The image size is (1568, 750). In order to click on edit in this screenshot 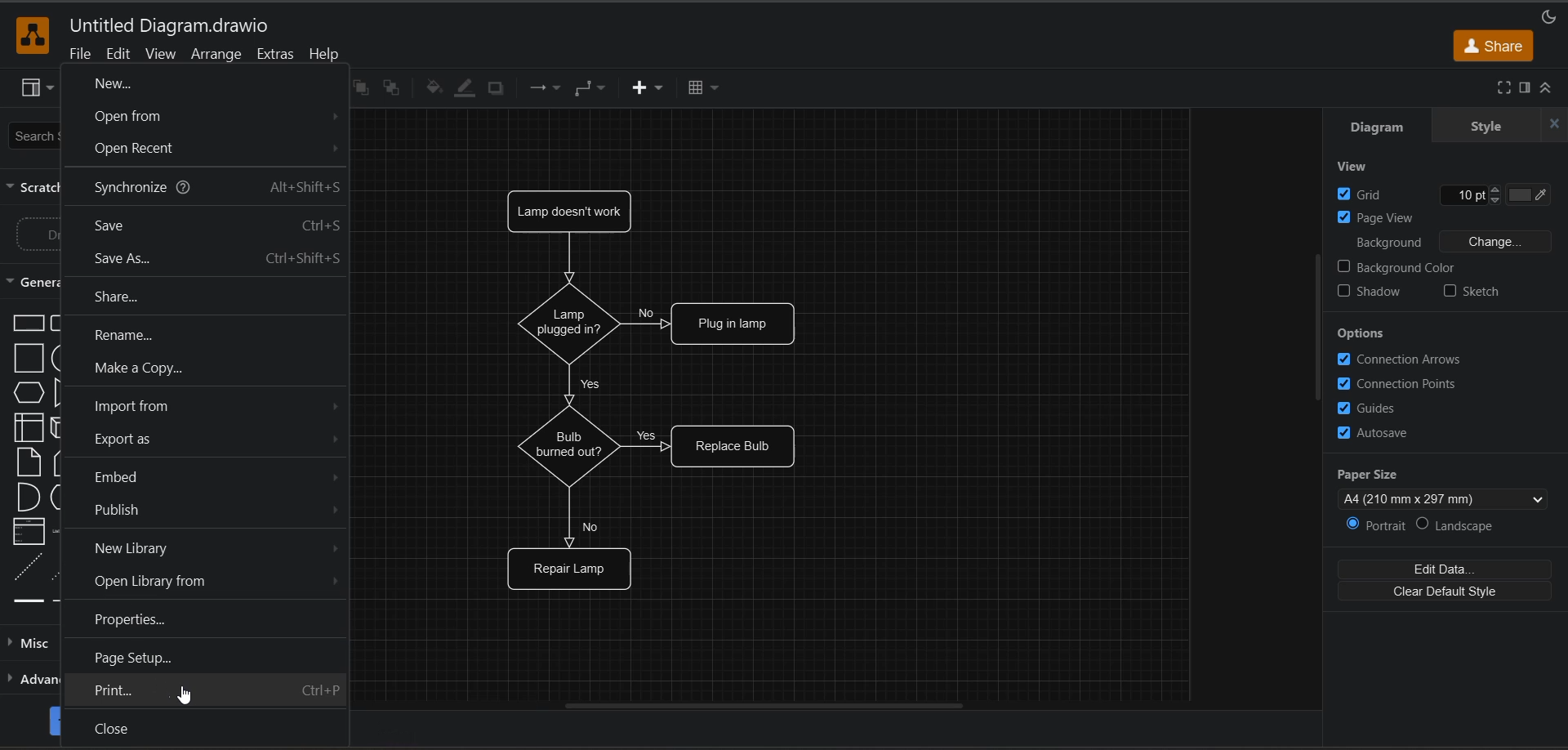, I will do `click(115, 56)`.